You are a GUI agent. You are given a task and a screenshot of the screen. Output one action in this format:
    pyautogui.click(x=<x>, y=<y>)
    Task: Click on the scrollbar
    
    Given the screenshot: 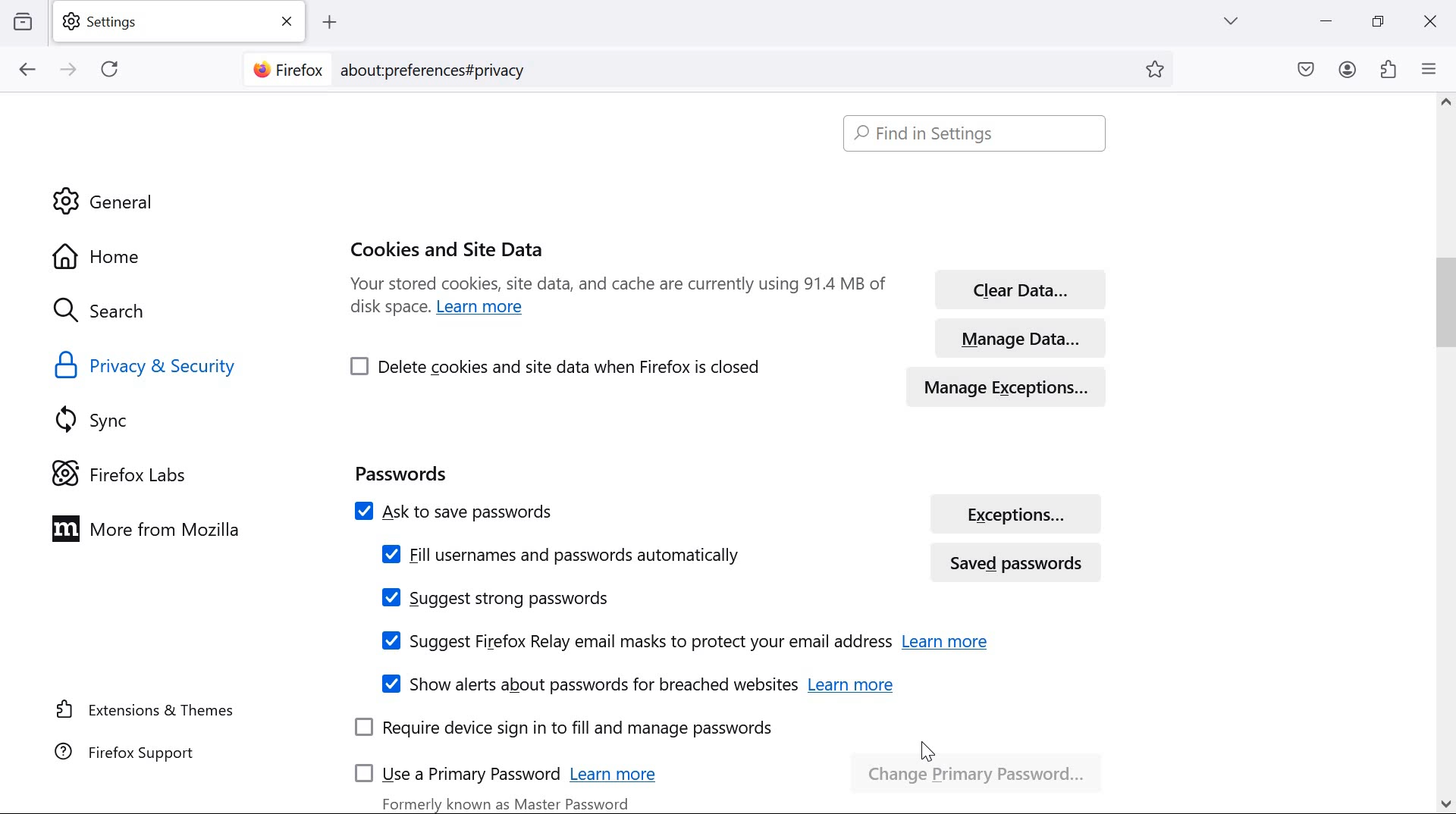 What is the action you would take?
    pyautogui.click(x=1438, y=454)
    